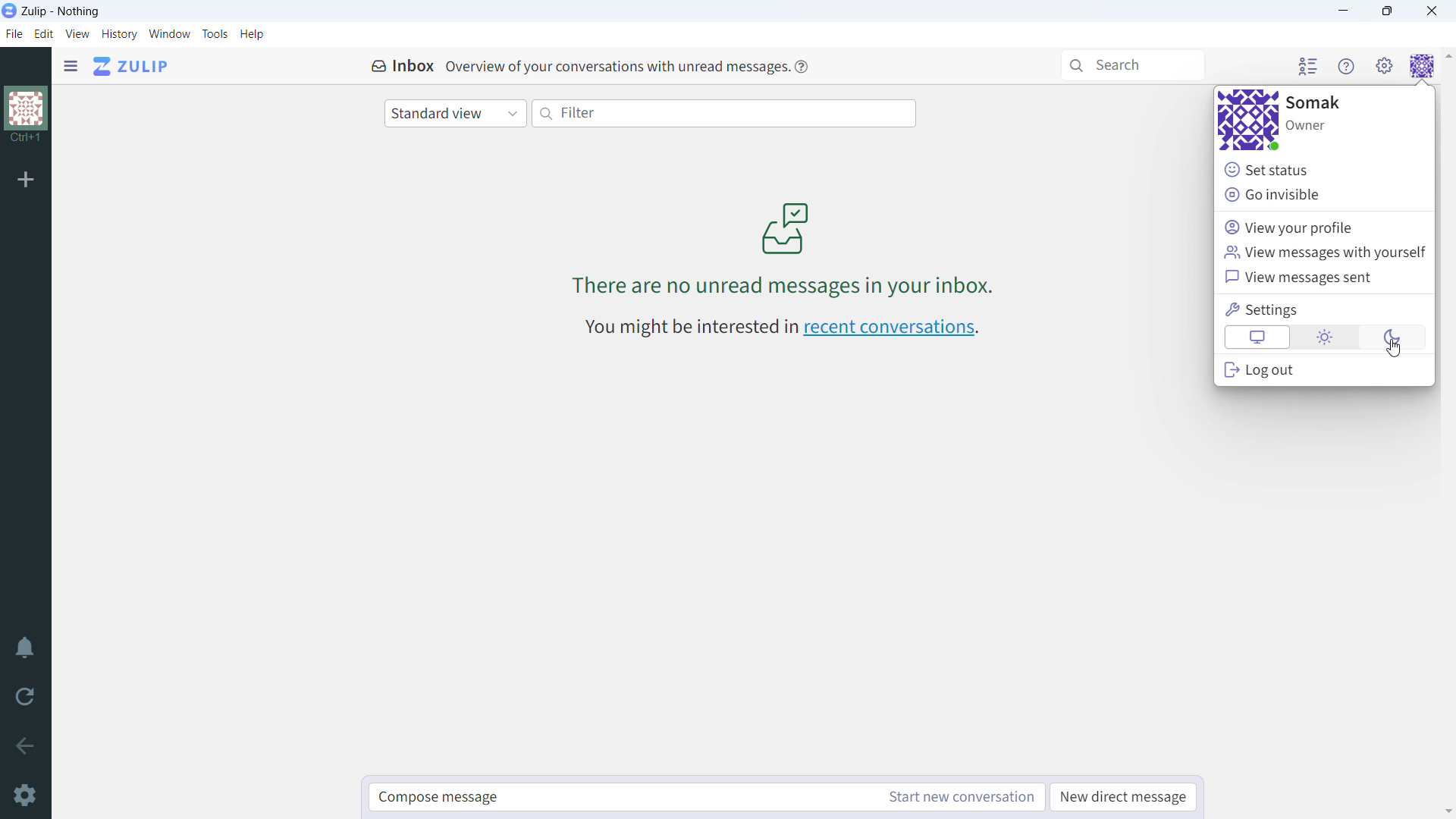  What do you see at coordinates (170, 34) in the screenshot?
I see `window` at bounding box center [170, 34].